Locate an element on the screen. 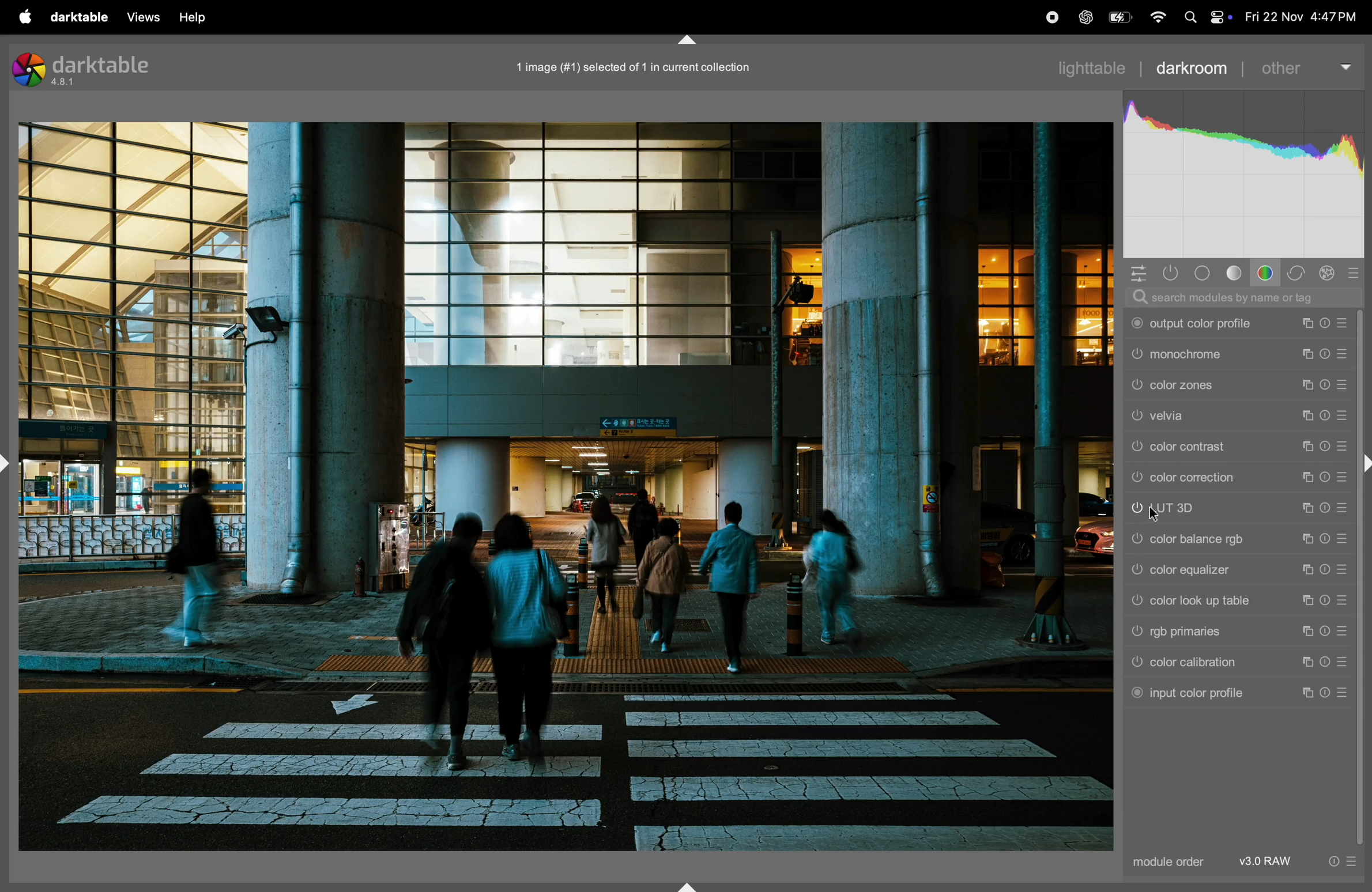  input color profile turned off is located at coordinates (1136, 693).